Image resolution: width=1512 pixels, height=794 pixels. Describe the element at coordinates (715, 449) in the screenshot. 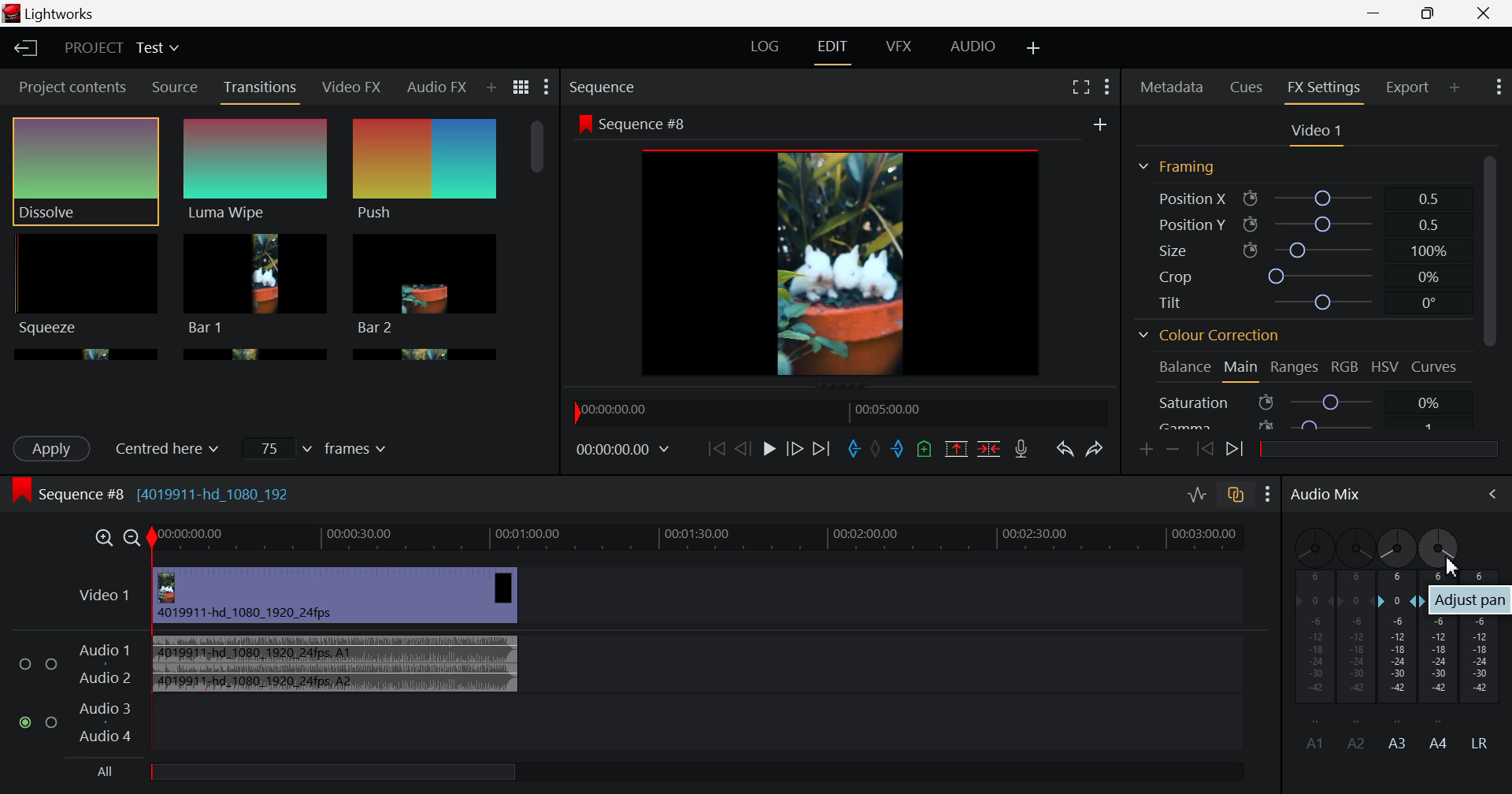

I see `To start` at that location.